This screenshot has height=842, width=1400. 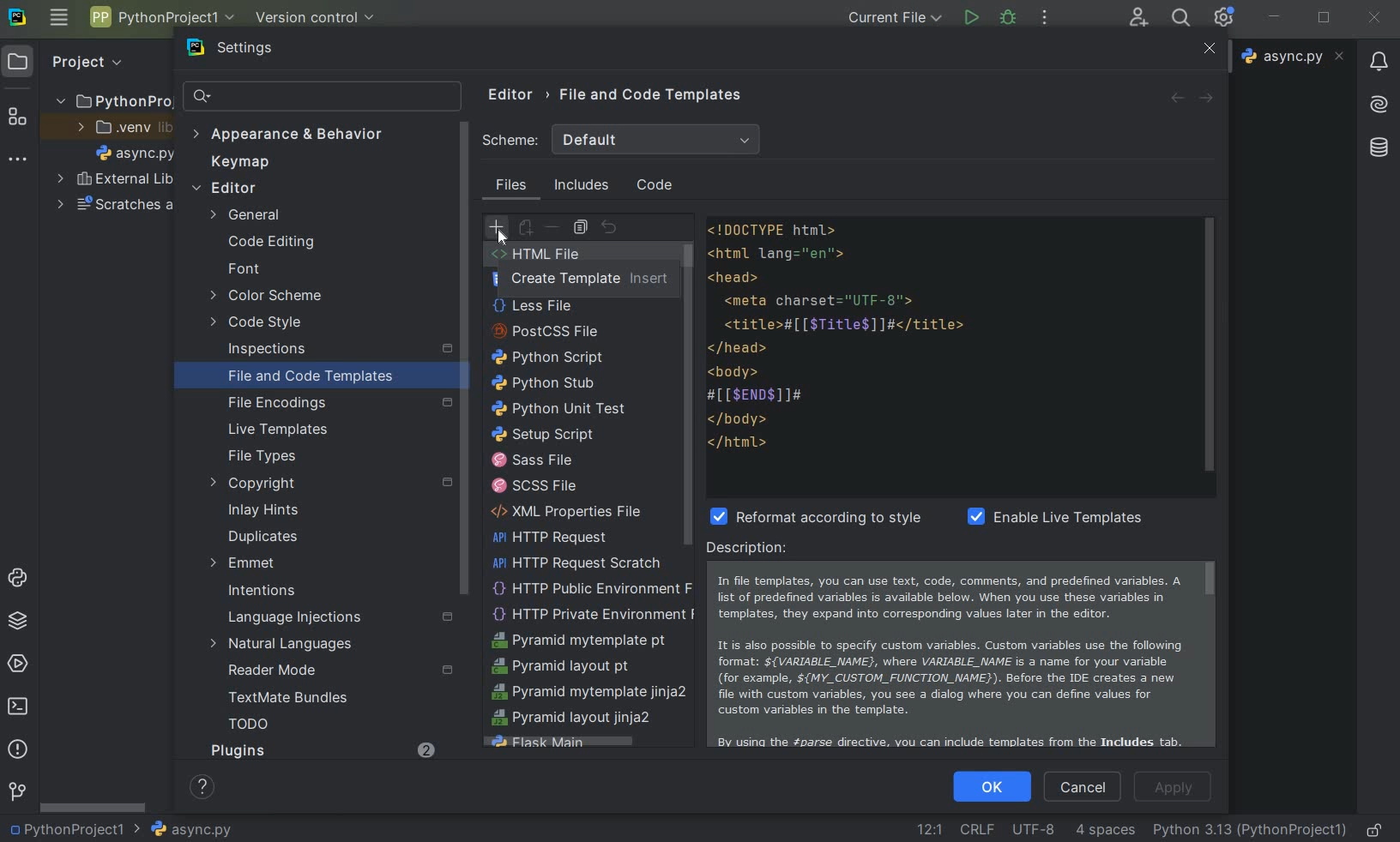 What do you see at coordinates (839, 343) in the screenshot?
I see `codes` at bounding box center [839, 343].